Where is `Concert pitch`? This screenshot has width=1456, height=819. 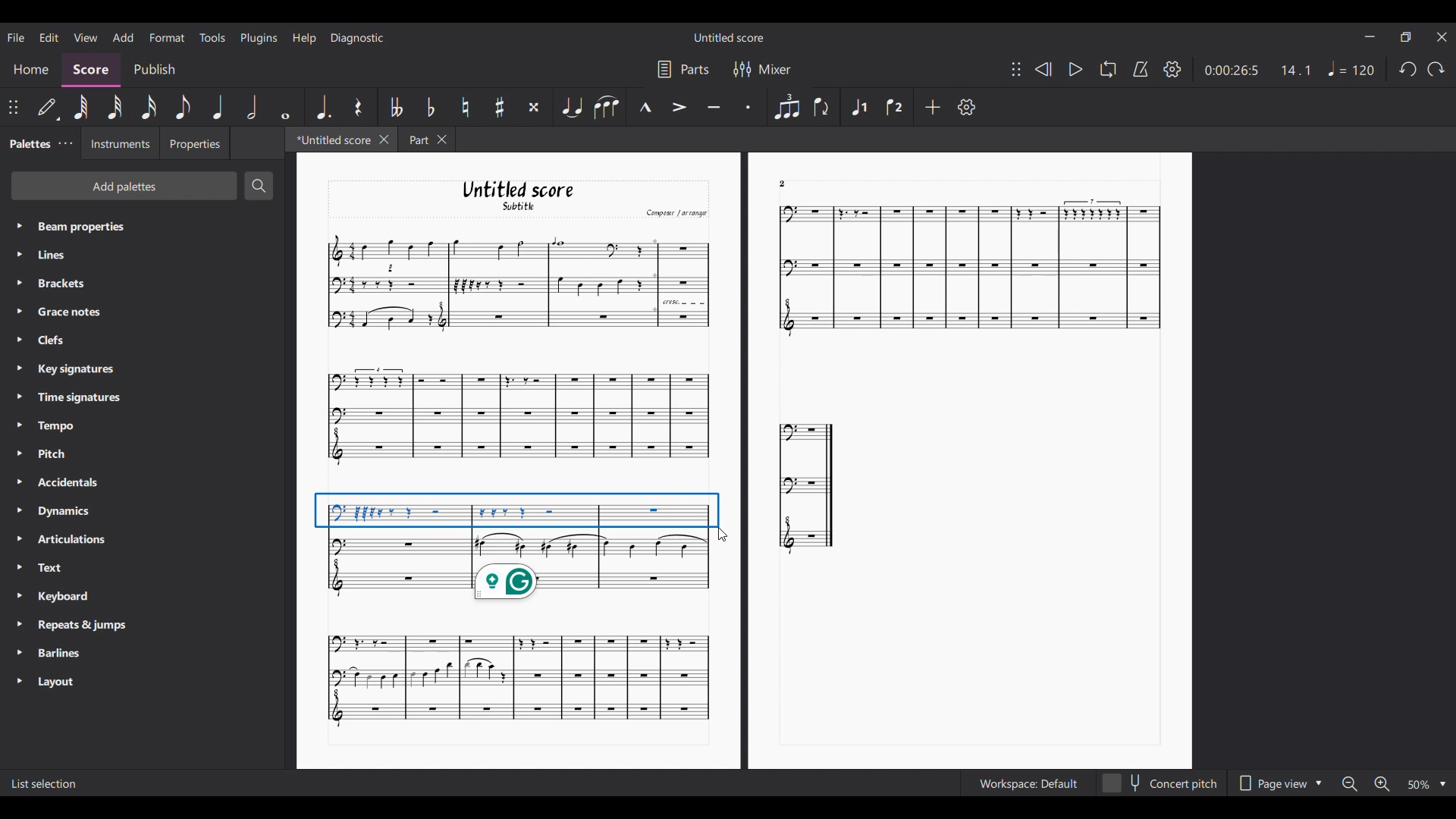 Concert pitch is located at coordinates (1159, 783).